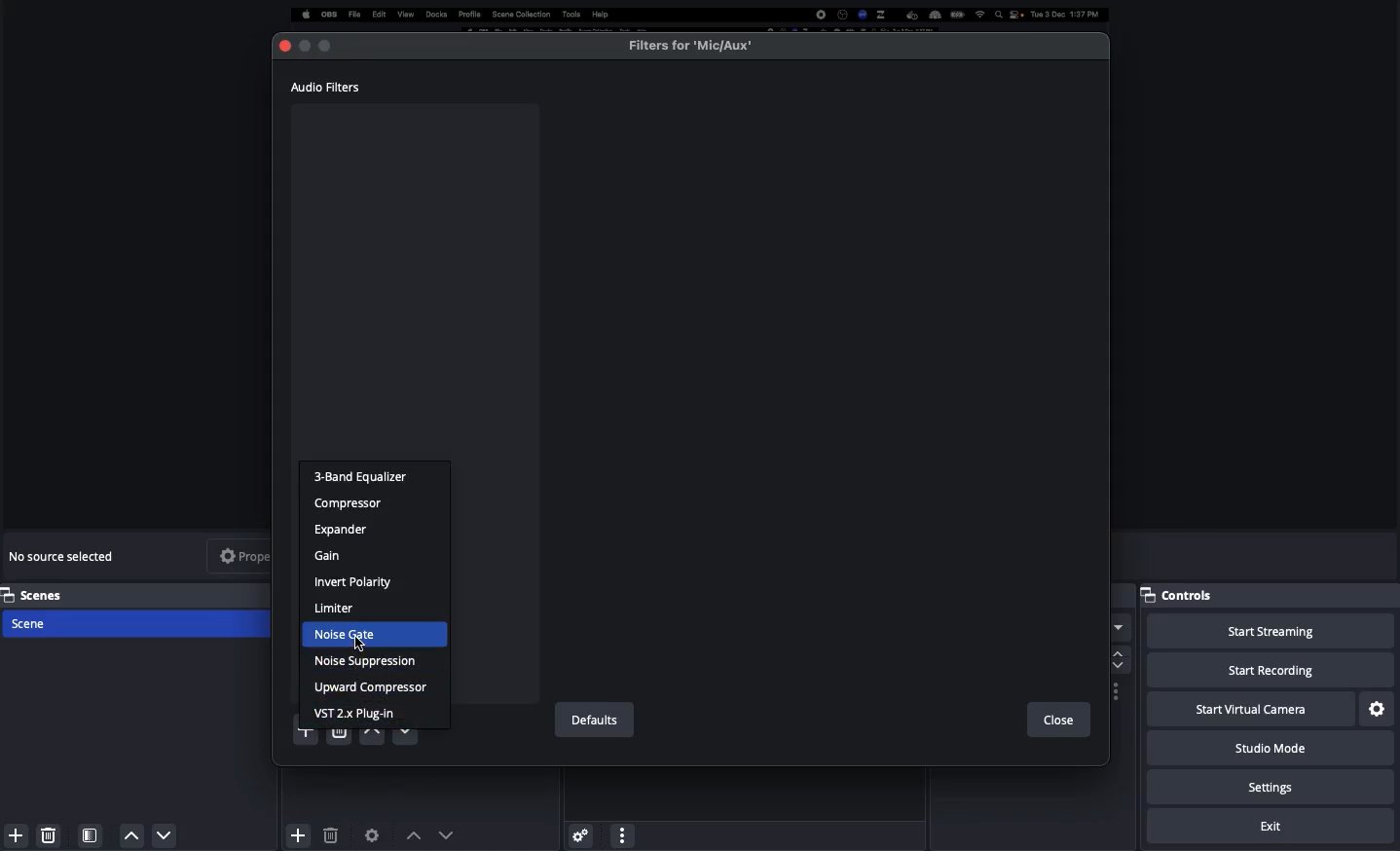 This screenshot has height=851, width=1400. I want to click on Delete, so click(338, 736).